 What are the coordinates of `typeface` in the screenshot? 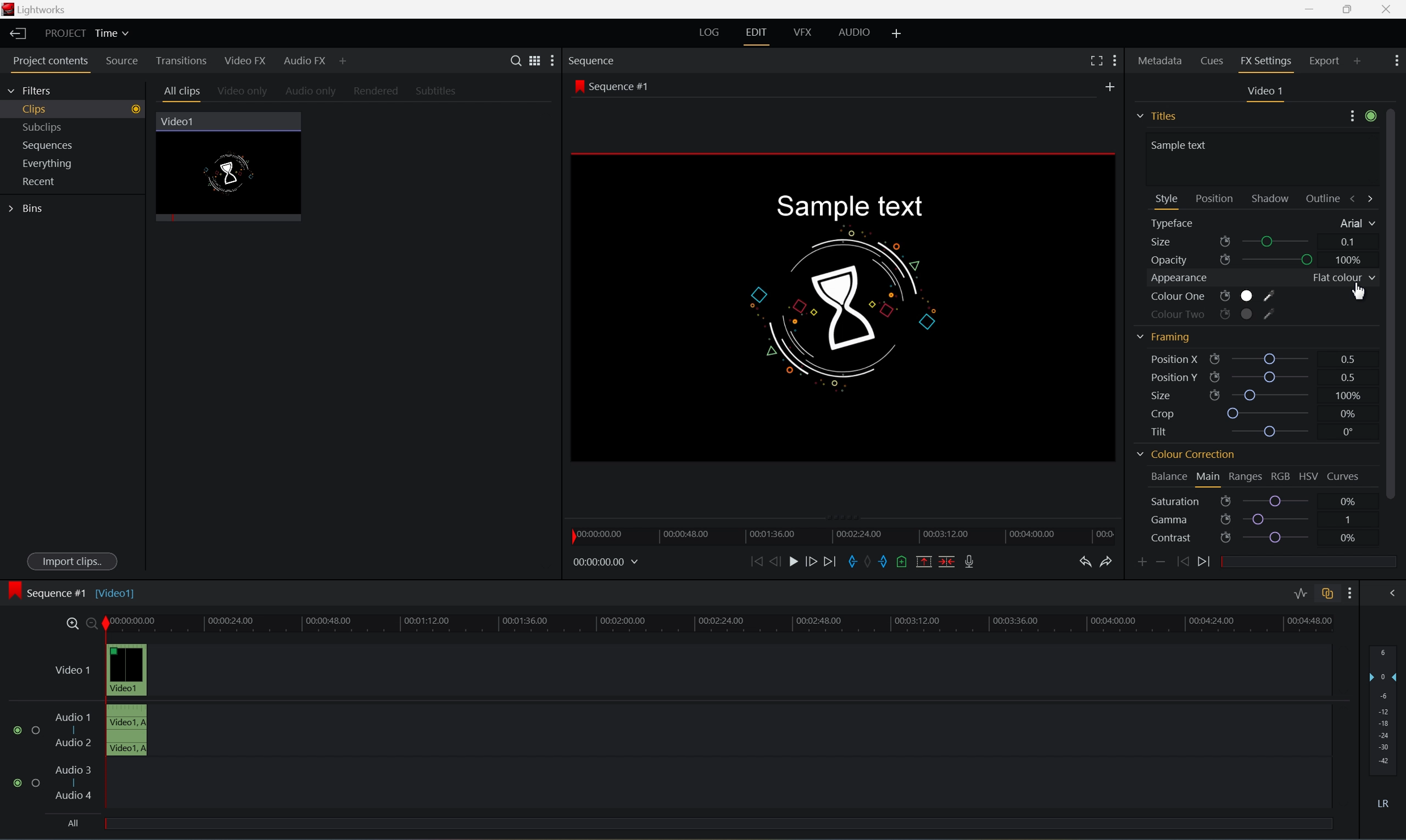 It's located at (1177, 224).